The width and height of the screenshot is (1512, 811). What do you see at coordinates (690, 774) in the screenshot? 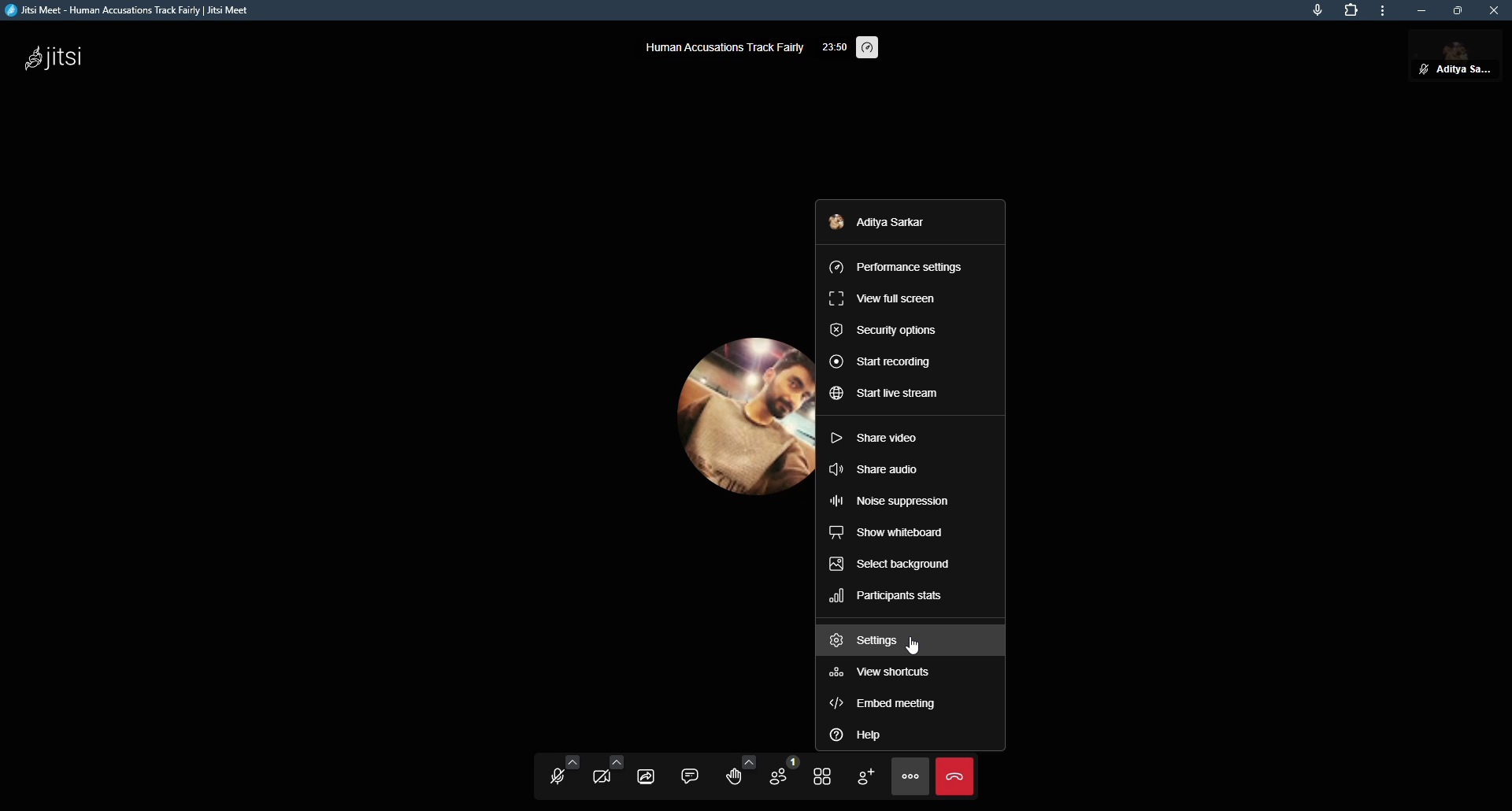
I see `chat` at bounding box center [690, 774].